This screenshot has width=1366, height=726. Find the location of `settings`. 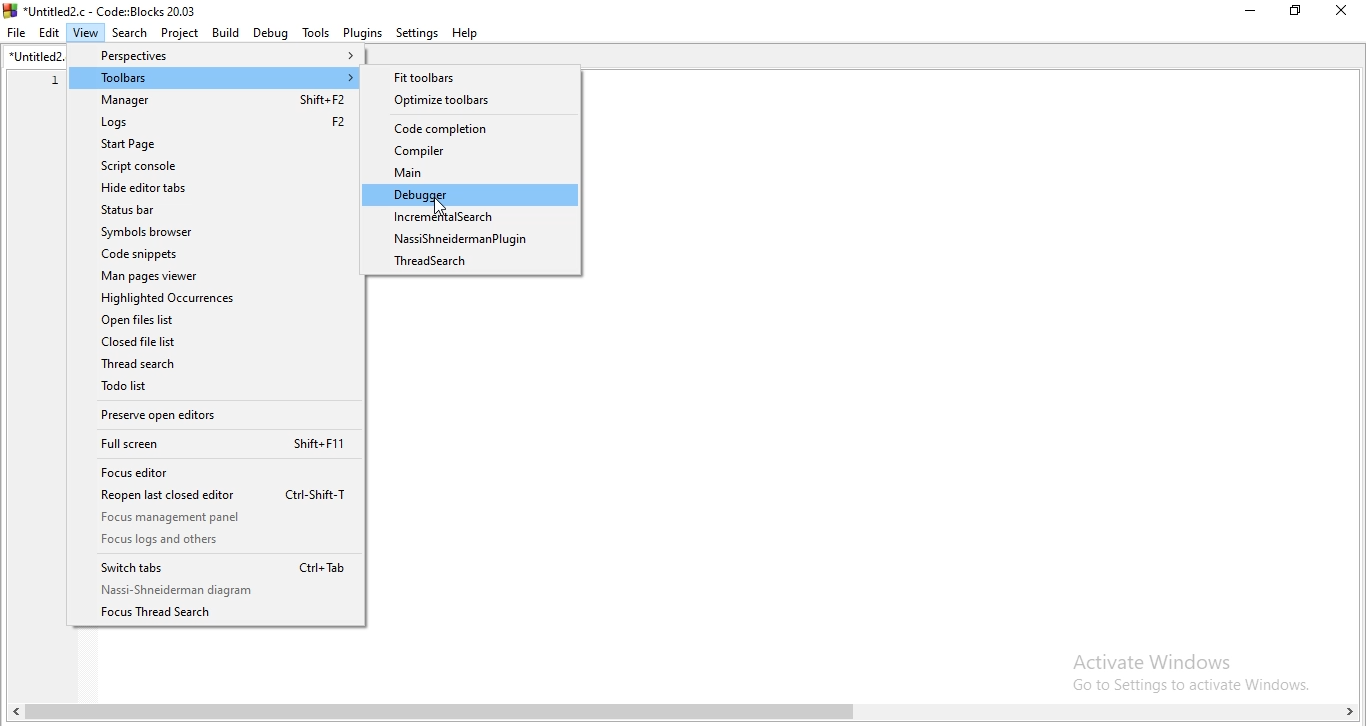

settings is located at coordinates (415, 32).